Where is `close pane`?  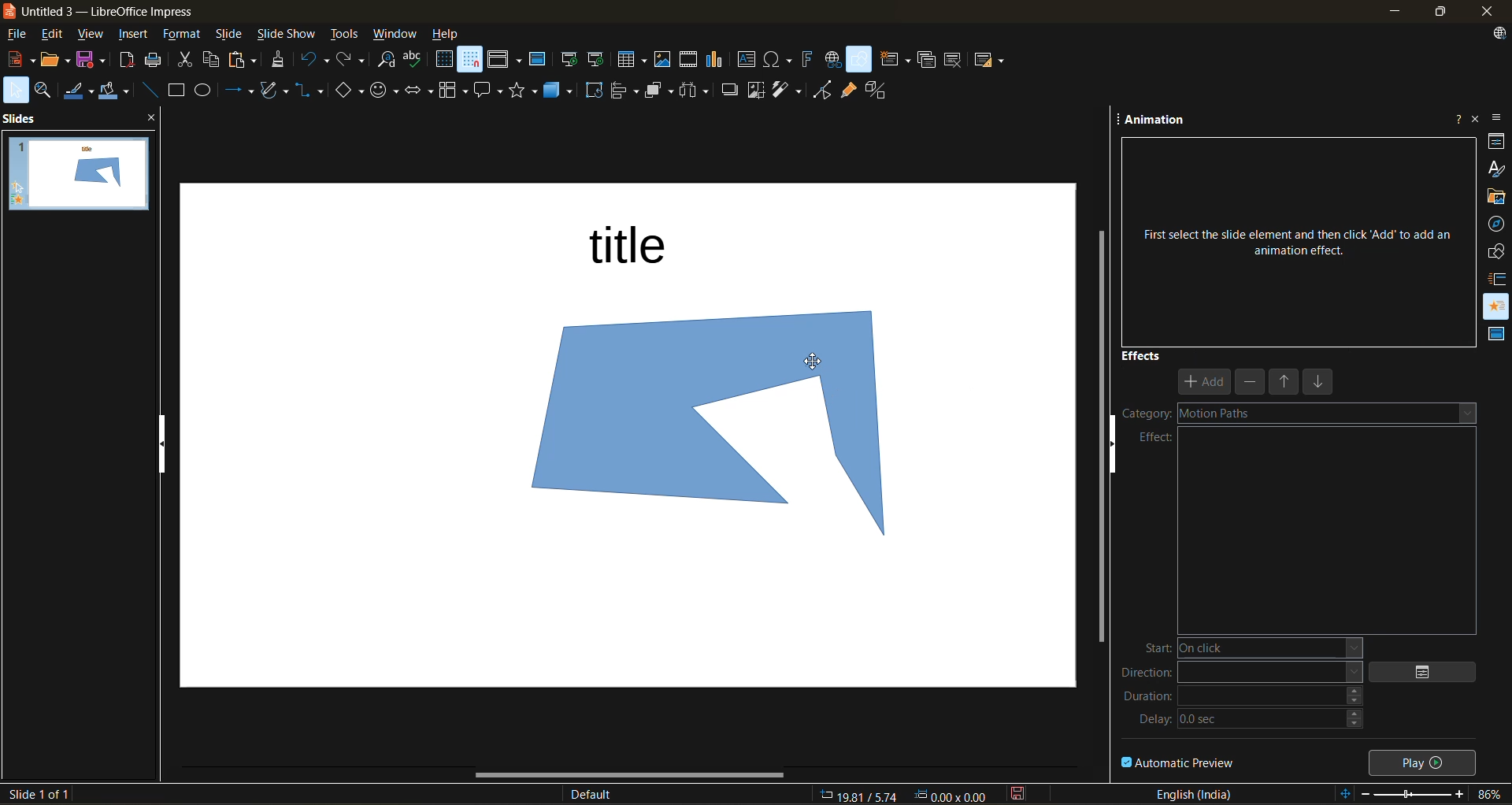 close pane is located at coordinates (157, 120).